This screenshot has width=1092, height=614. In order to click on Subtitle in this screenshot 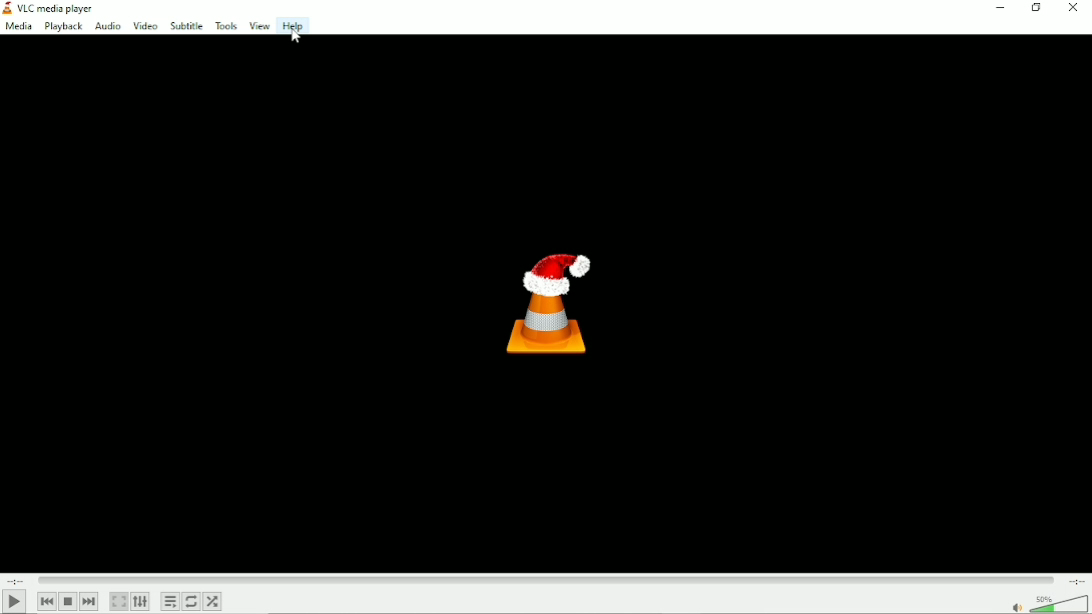, I will do `click(185, 25)`.